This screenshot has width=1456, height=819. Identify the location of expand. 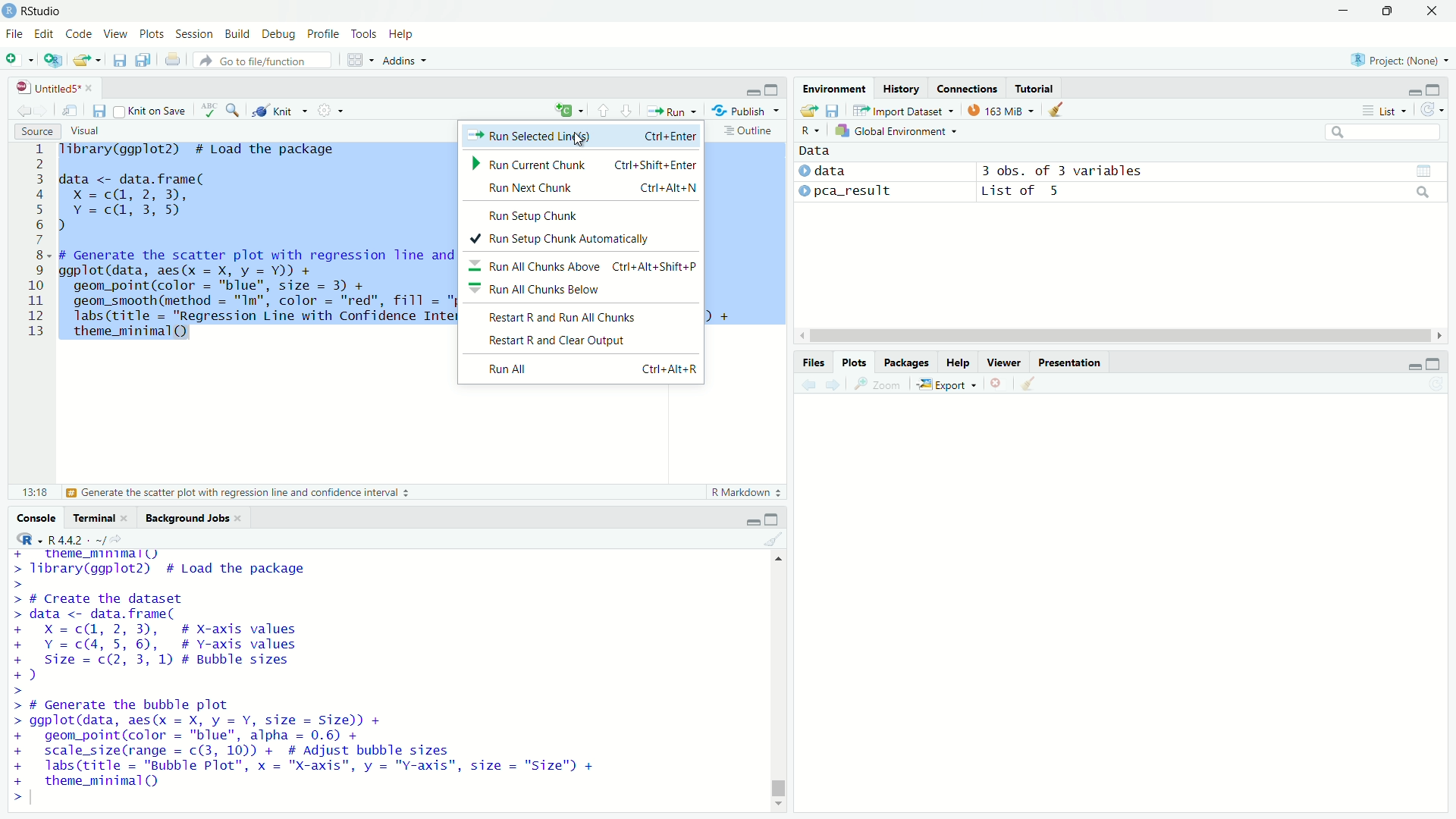
(770, 518).